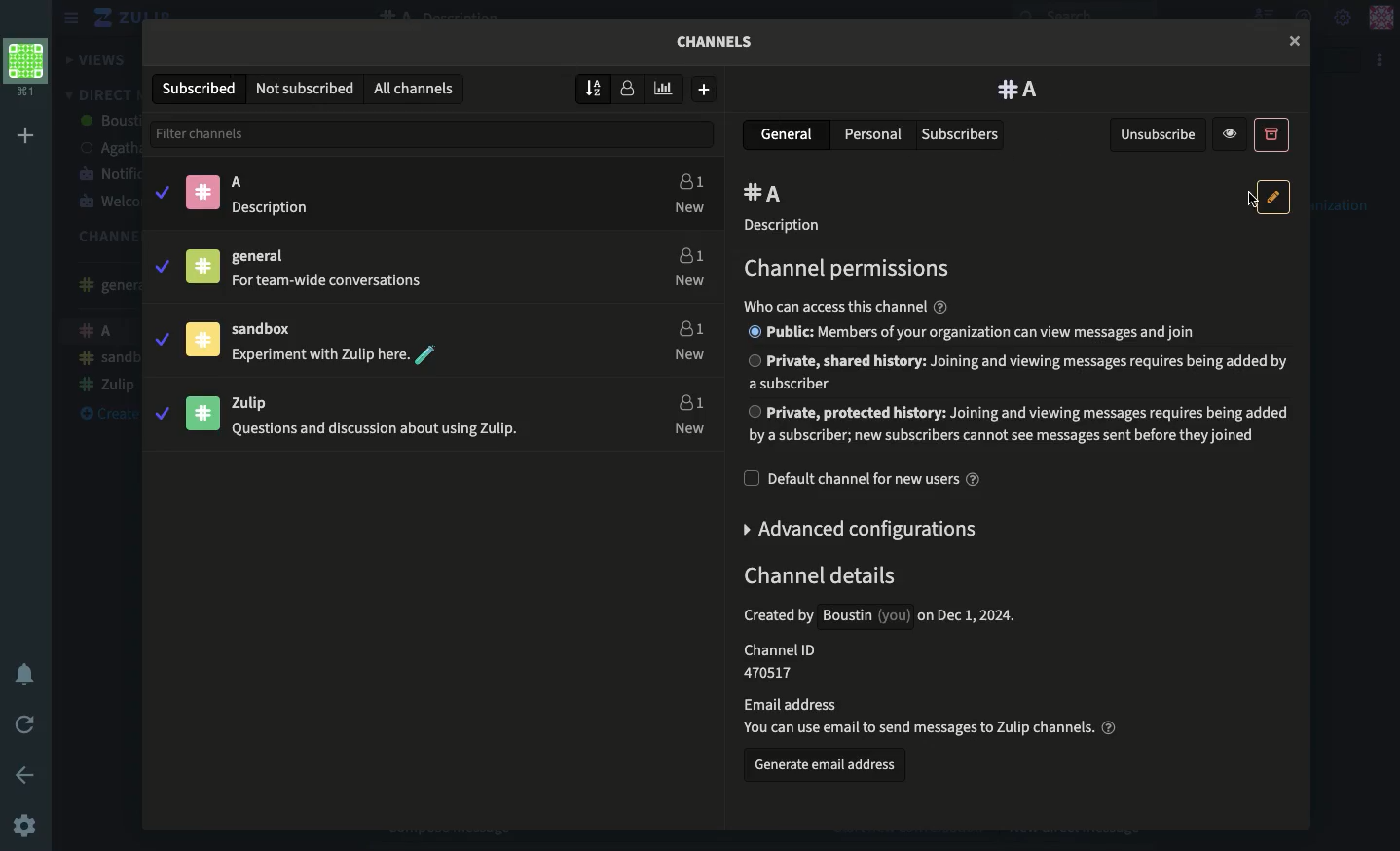  I want to click on Sandbox, so click(107, 359).